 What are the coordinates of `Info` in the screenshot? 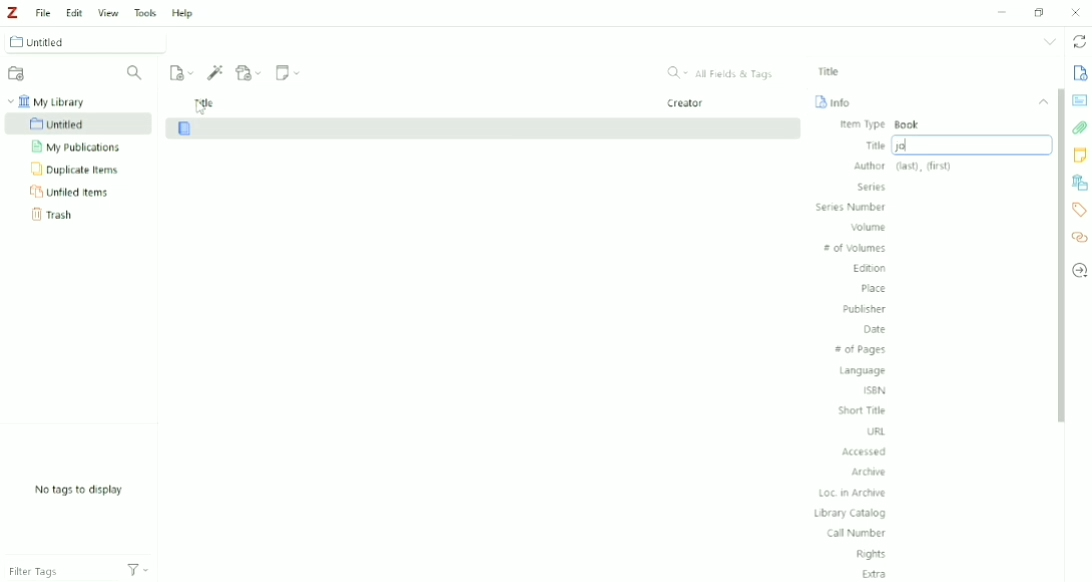 It's located at (1080, 73).